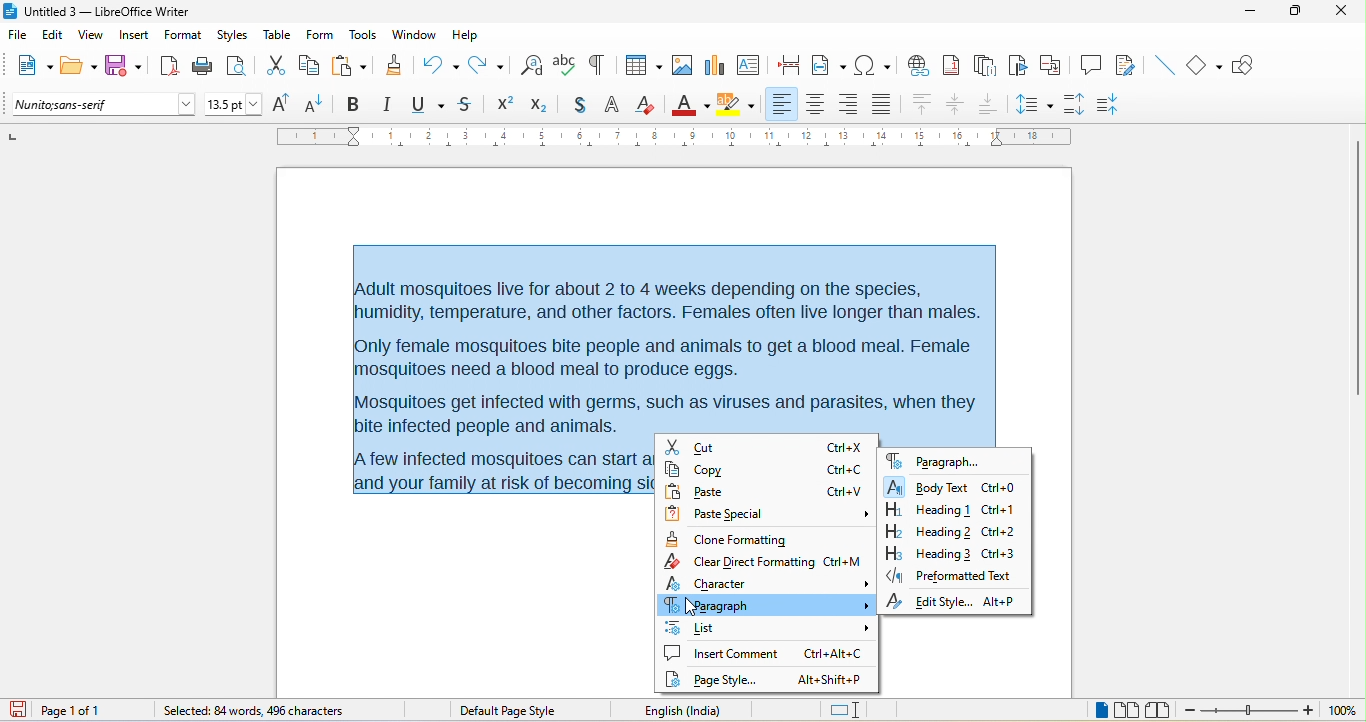 This screenshot has height=722, width=1366. Describe the element at coordinates (1342, 711) in the screenshot. I see `100%` at that location.